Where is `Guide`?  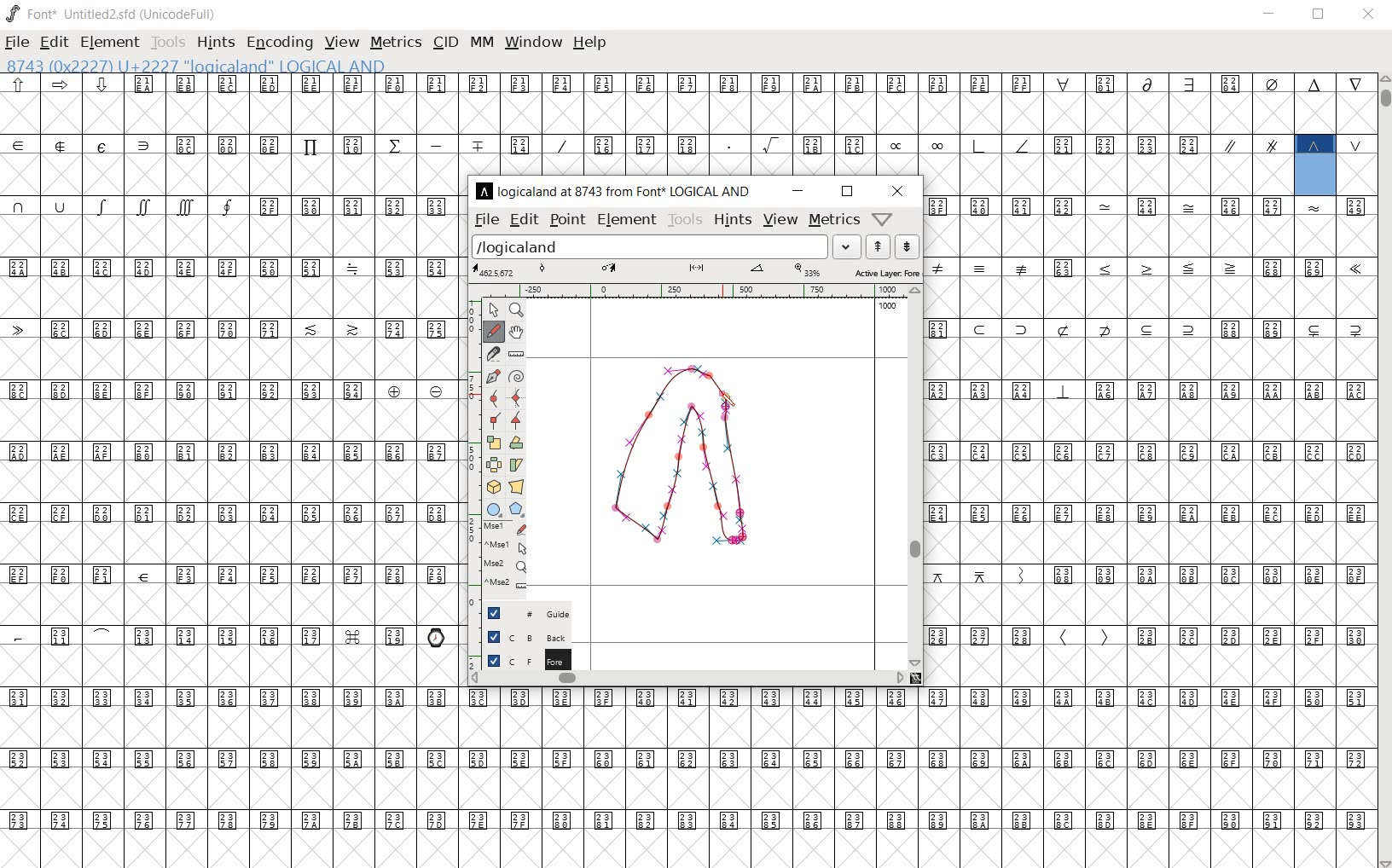 Guide is located at coordinates (525, 613).